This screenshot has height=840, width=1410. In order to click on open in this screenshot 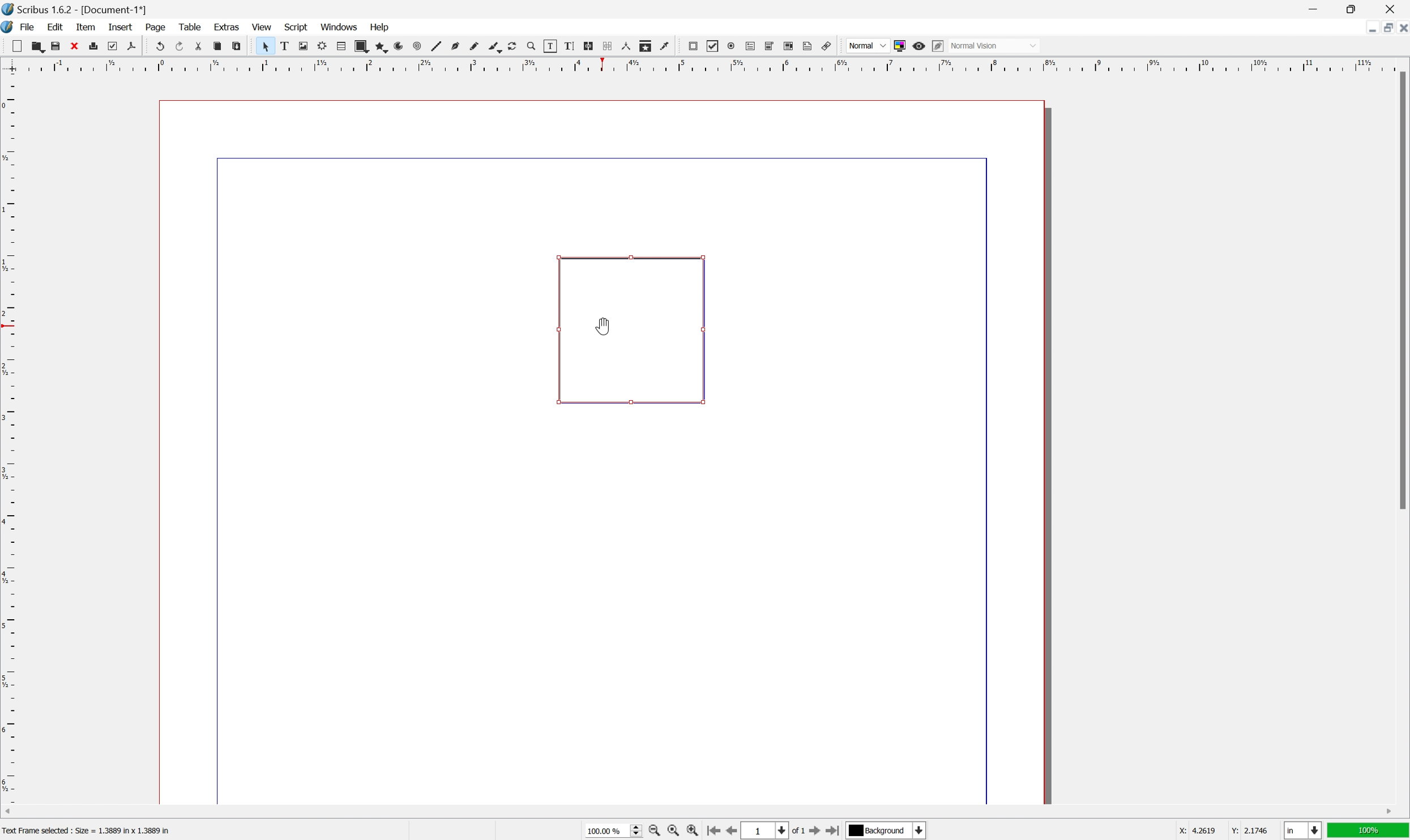, I will do `click(39, 46)`.